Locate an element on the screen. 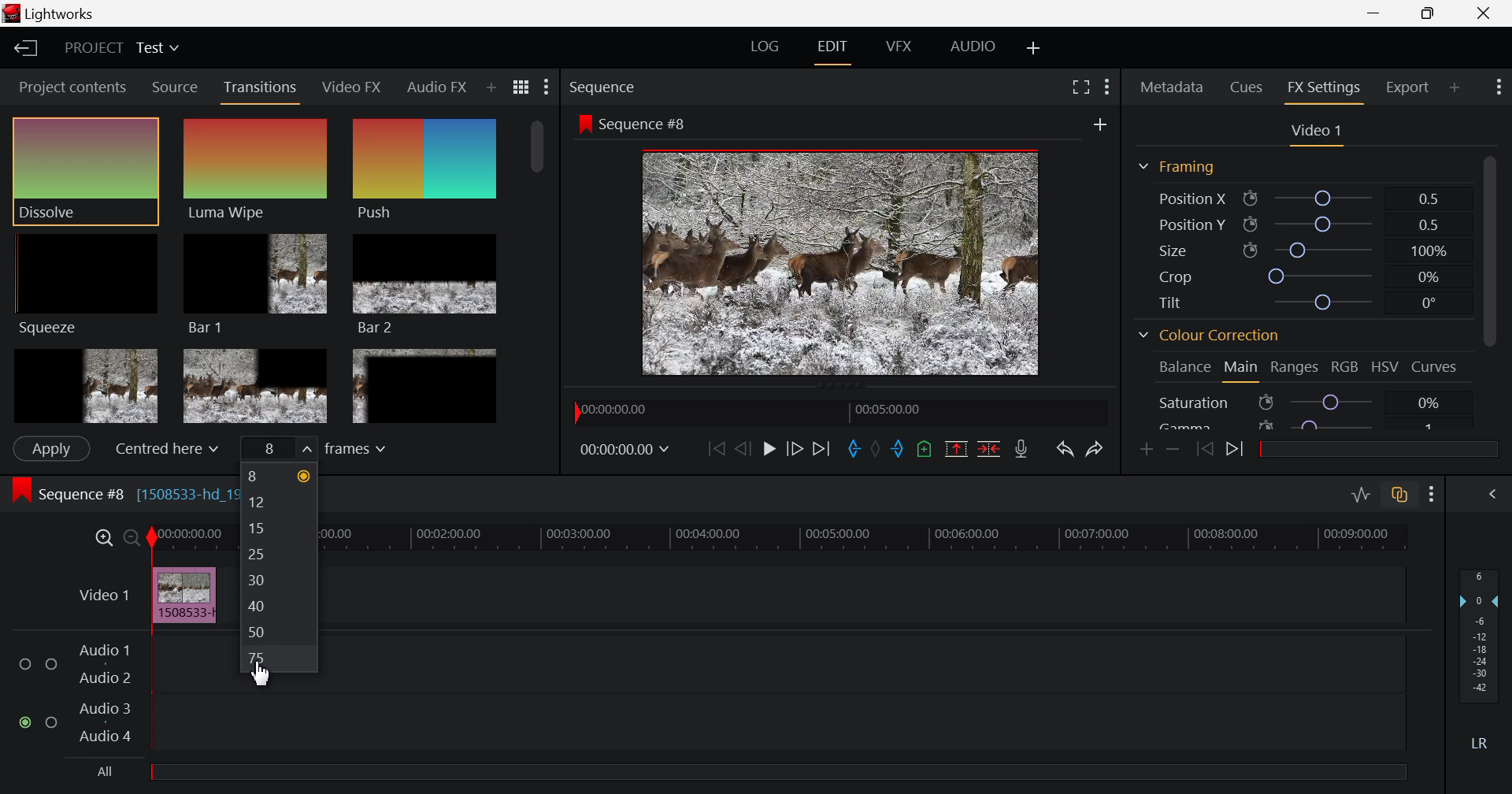 The height and width of the screenshot is (794, 1512). Go Back is located at coordinates (743, 450).